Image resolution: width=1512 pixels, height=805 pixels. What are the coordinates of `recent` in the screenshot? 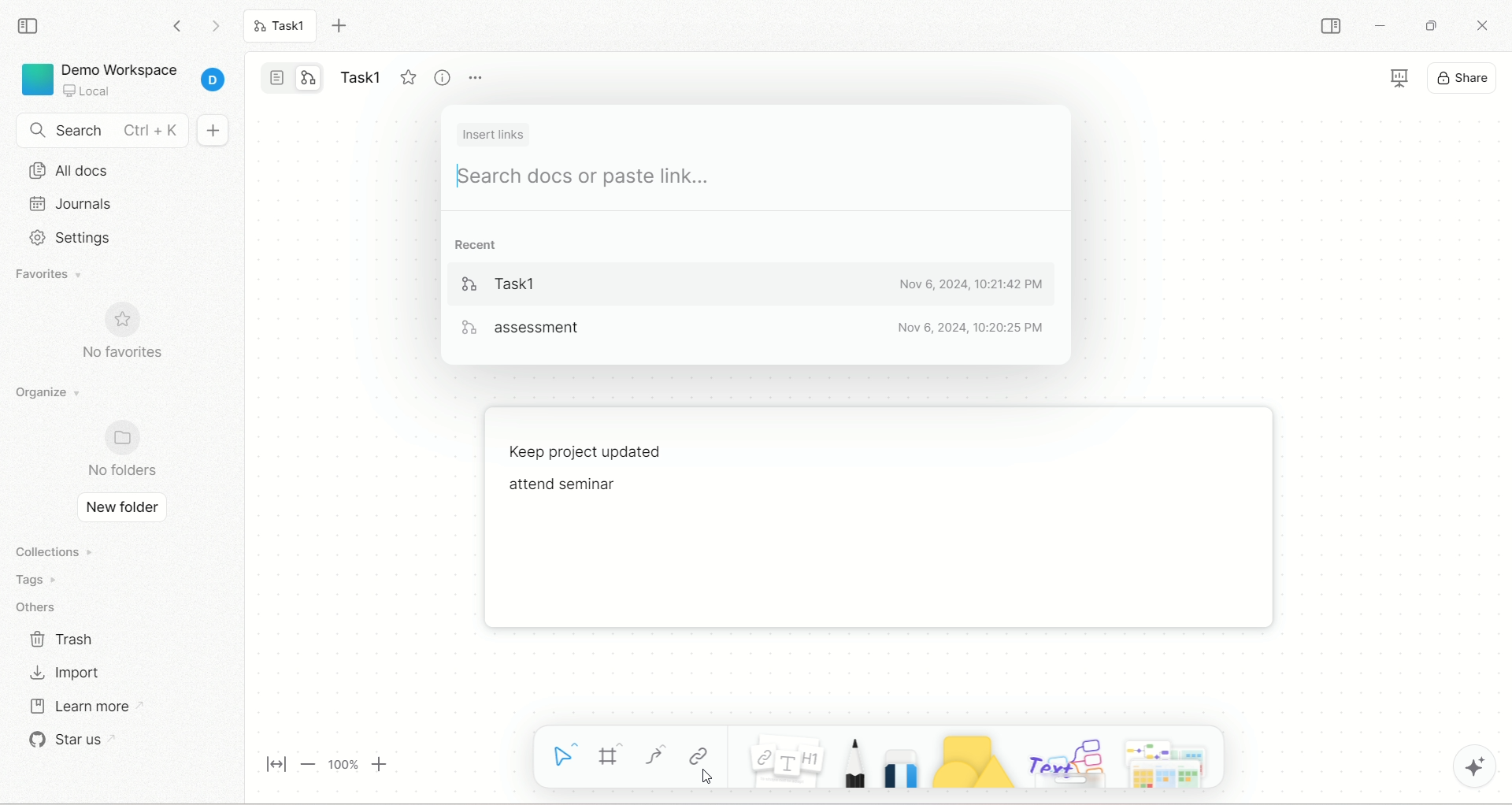 It's located at (480, 241).